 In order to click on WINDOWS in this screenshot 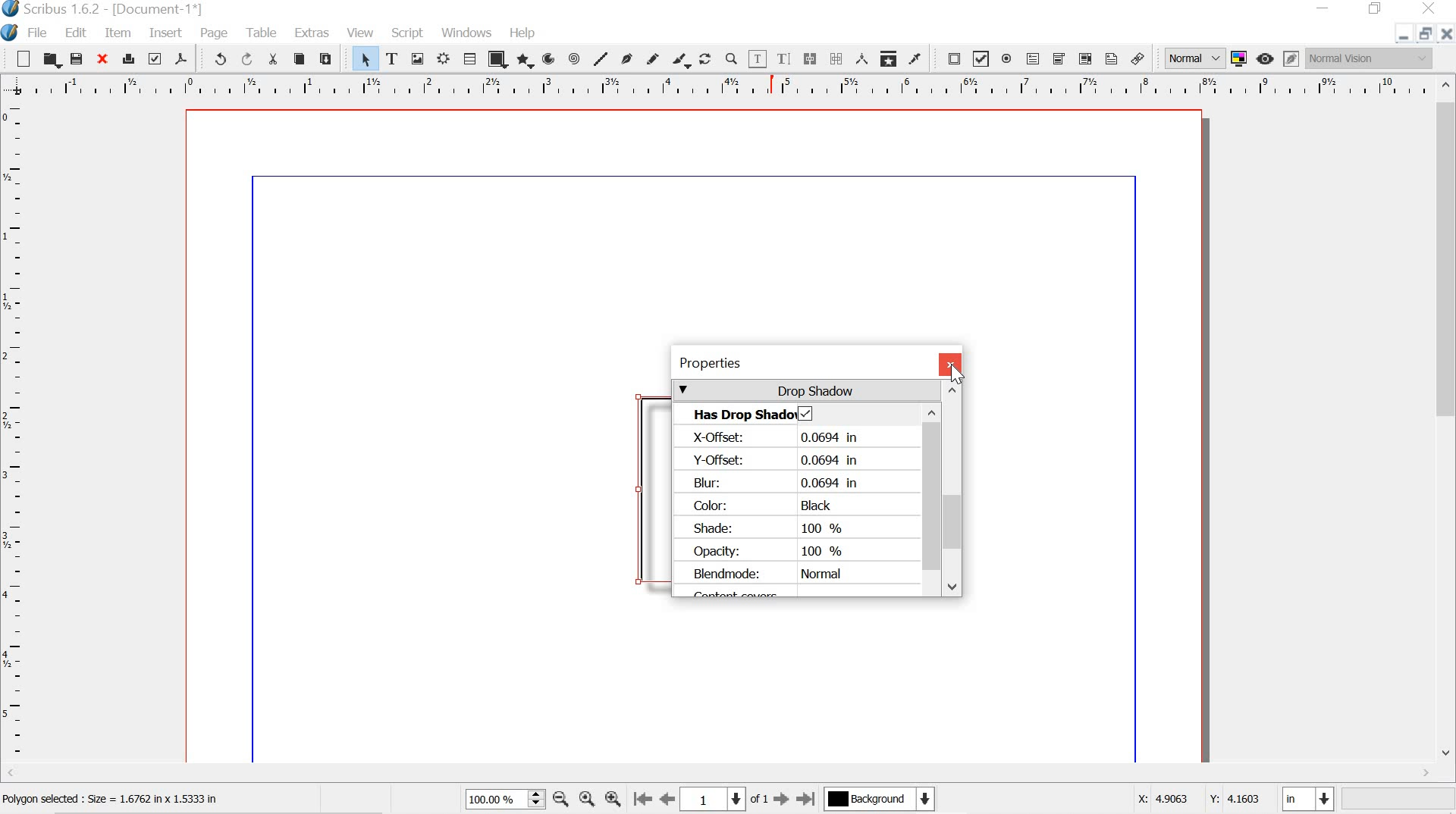, I will do `click(466, 32)`.